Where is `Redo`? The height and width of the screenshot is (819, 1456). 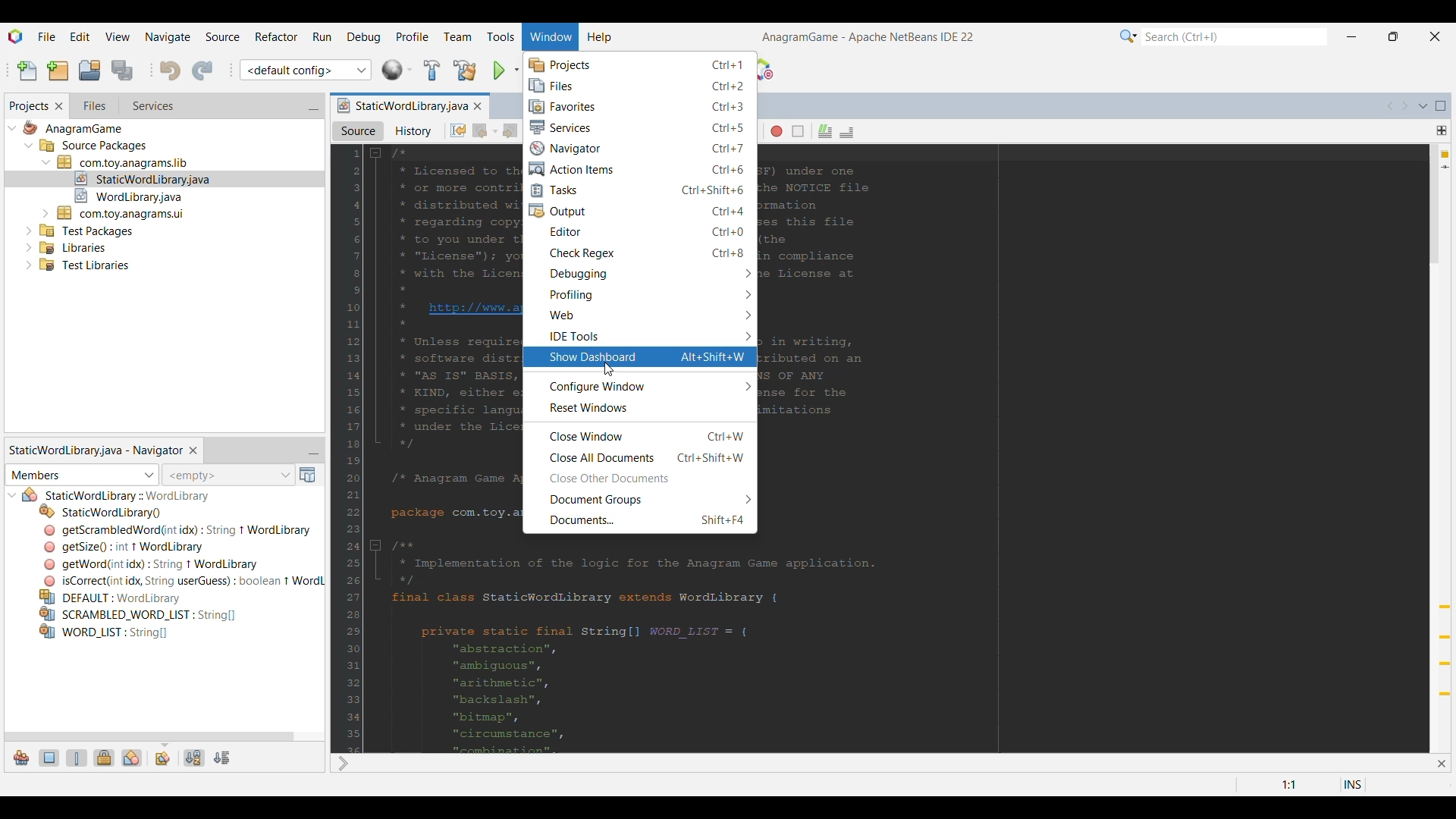
Redo is located at coordinates (202, 71).